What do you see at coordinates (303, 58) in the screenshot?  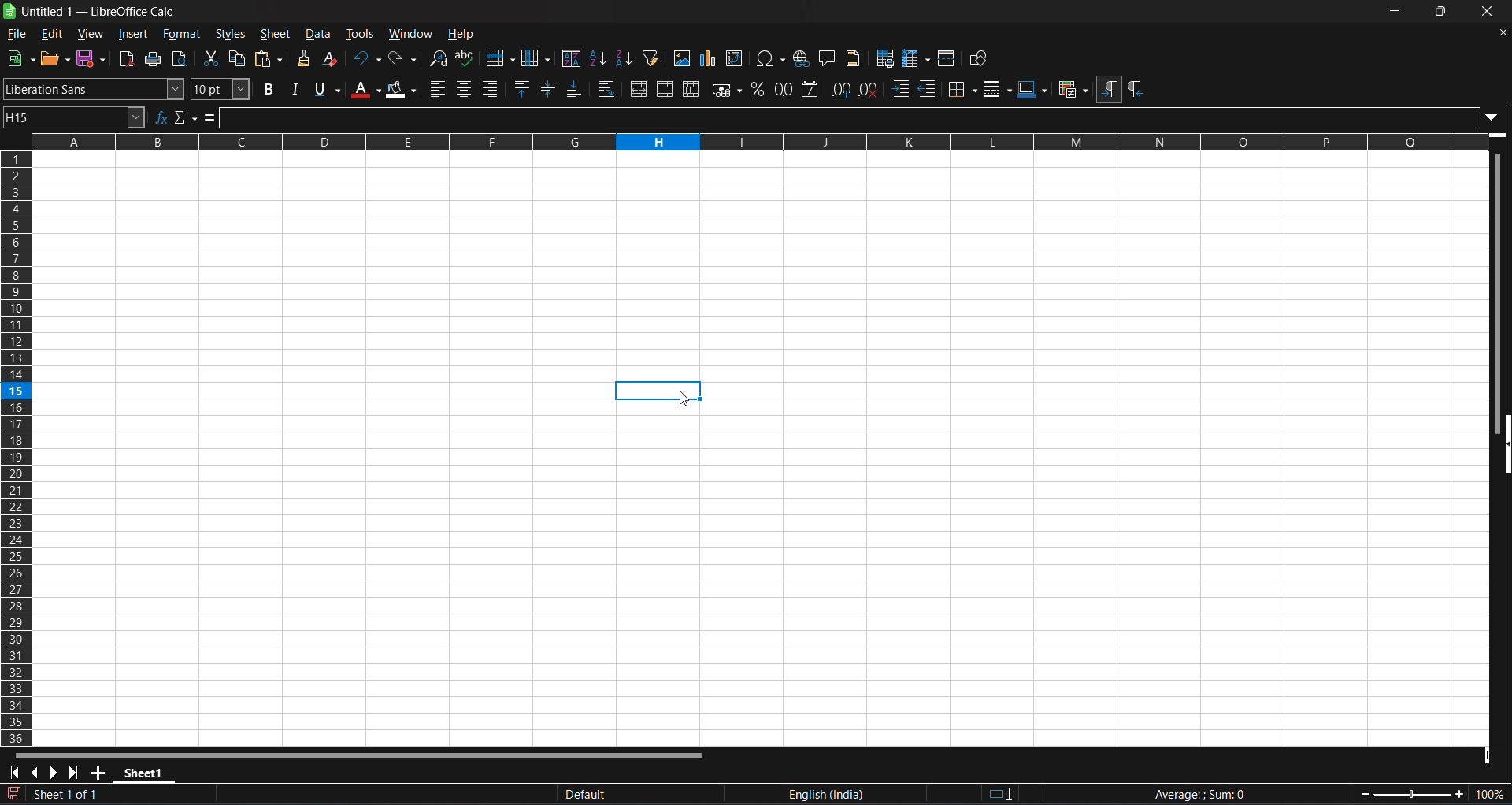 I see `clone formatting` at bounding box center [303, 58].